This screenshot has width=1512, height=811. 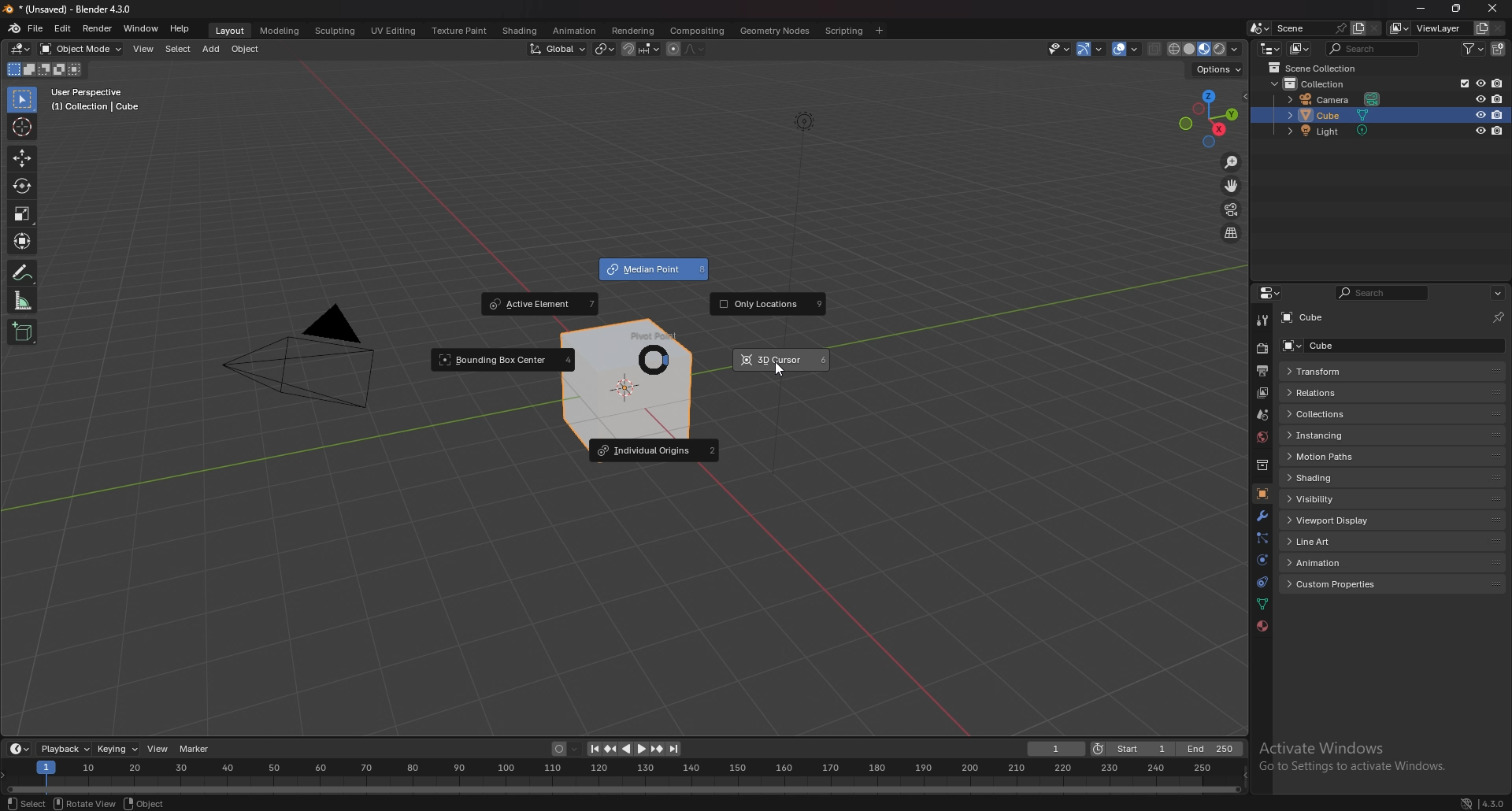 What do you see at coordinates (20, 49) in the screenshot?
I see `editor type` at bounding box center [20, 49].